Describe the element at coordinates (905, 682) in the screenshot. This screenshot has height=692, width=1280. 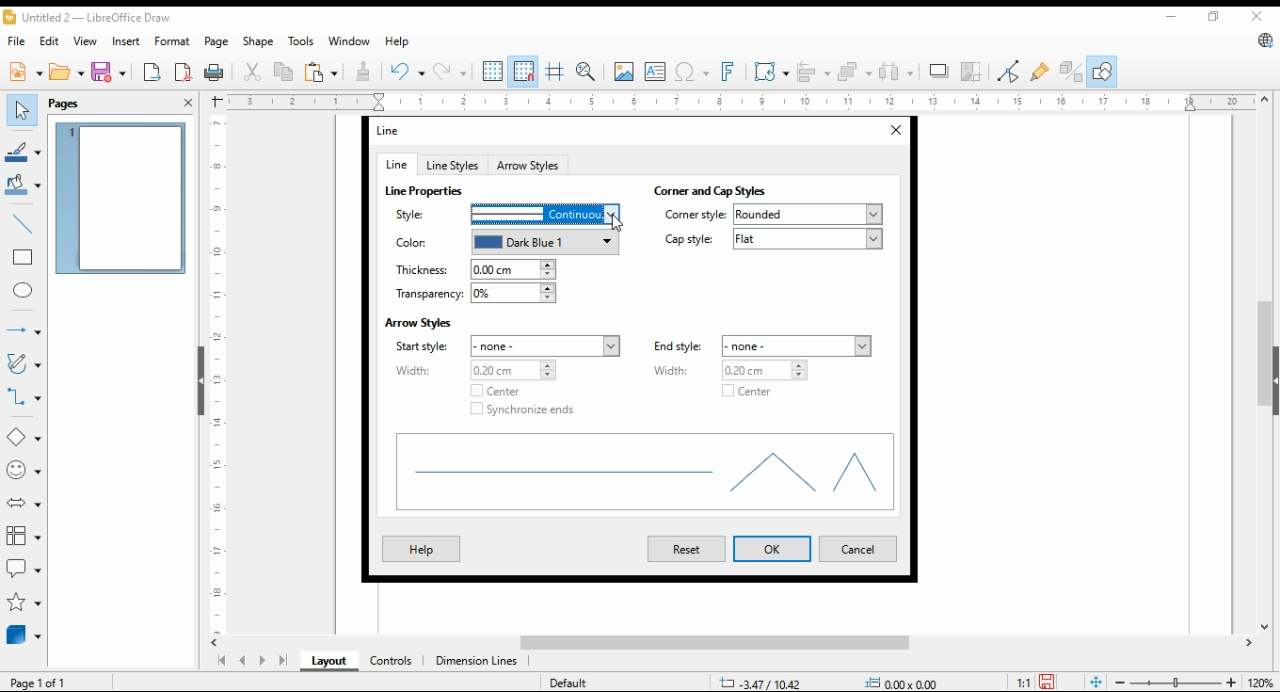
I see `0.00x0.00` at that location.